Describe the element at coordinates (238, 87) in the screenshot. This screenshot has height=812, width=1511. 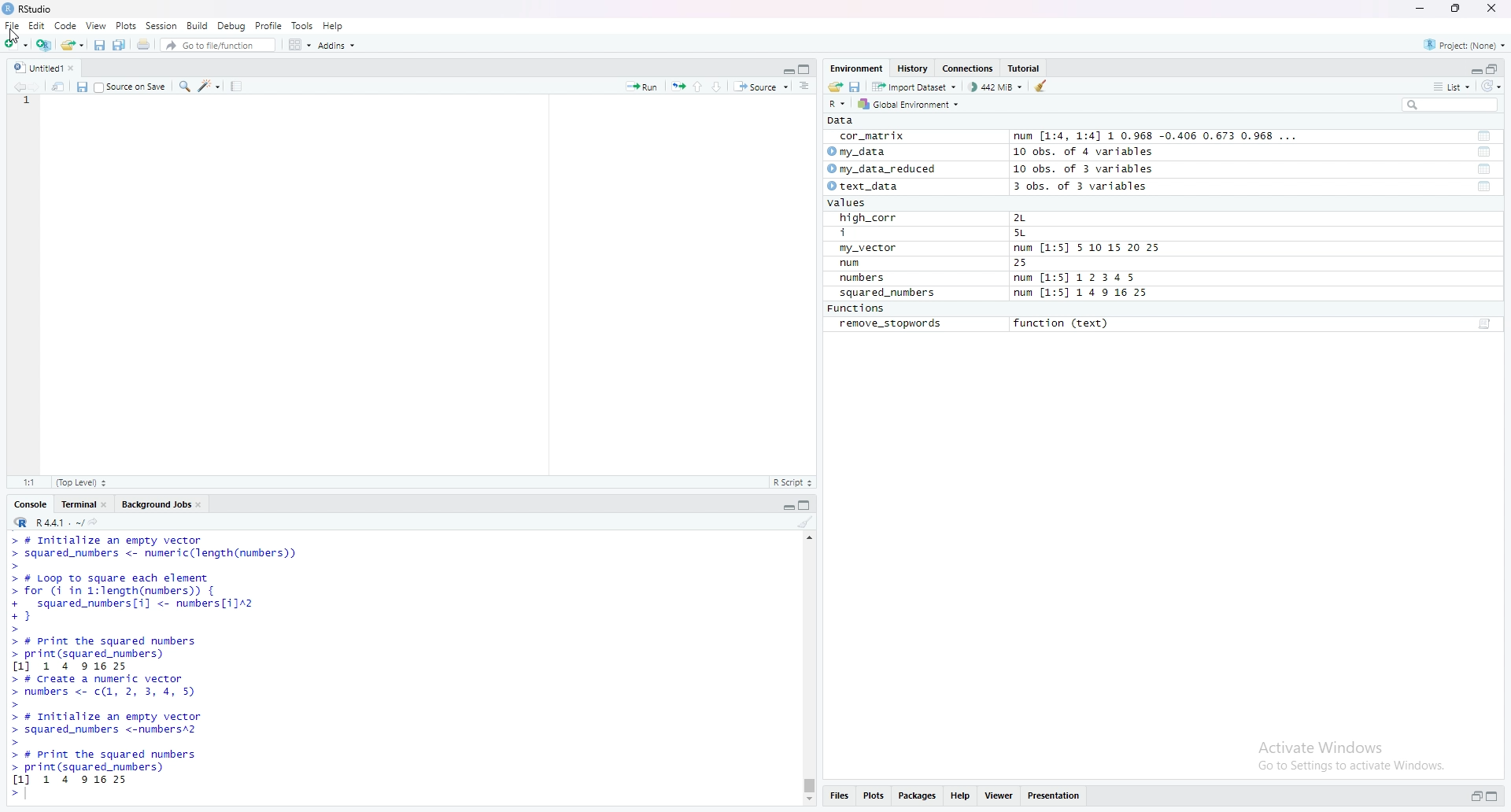
I see `Compile report` at that location.